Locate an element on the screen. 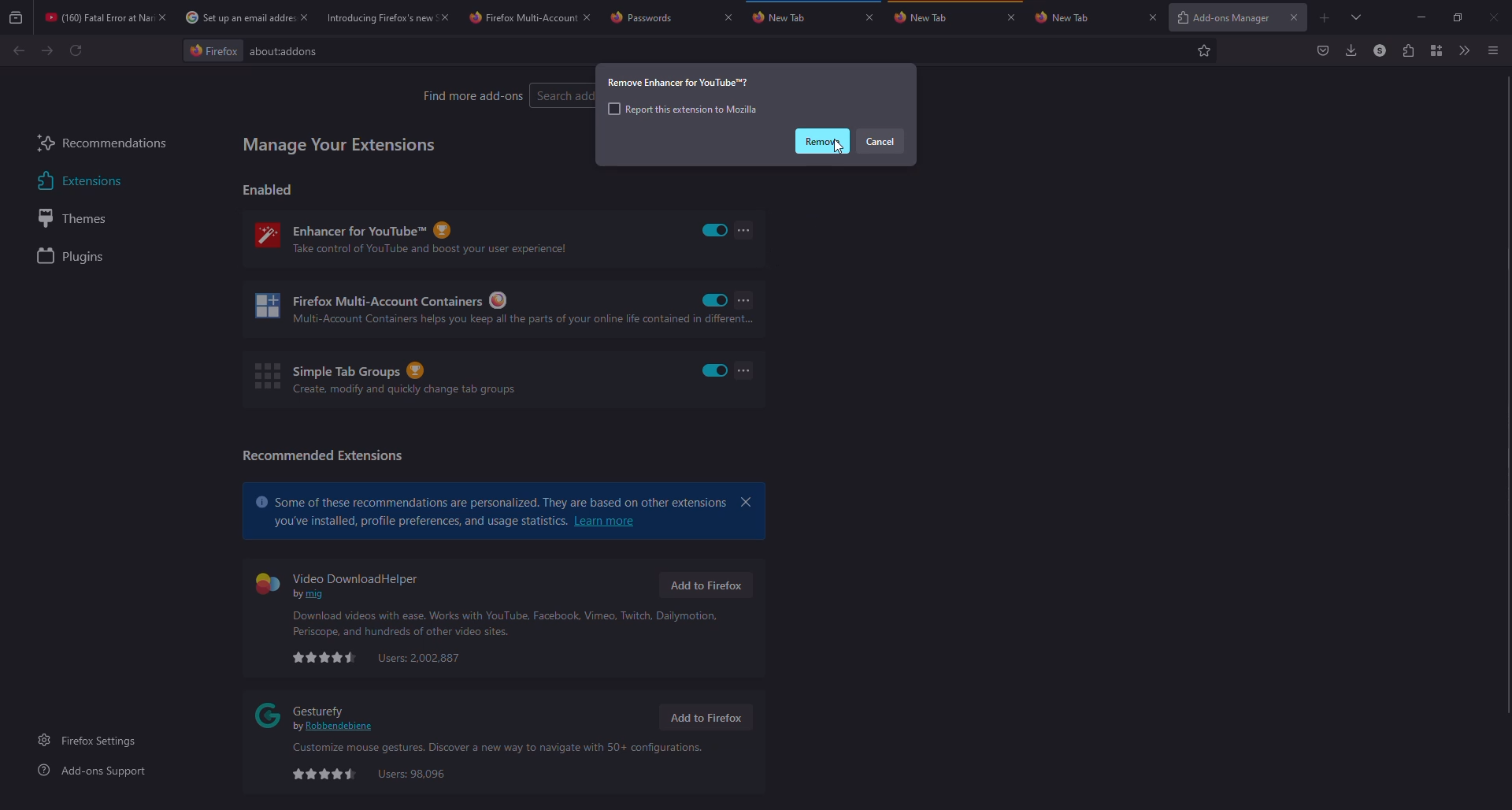 The image size is (1512, 810). add to firefox is located at coordinates (705, 585).